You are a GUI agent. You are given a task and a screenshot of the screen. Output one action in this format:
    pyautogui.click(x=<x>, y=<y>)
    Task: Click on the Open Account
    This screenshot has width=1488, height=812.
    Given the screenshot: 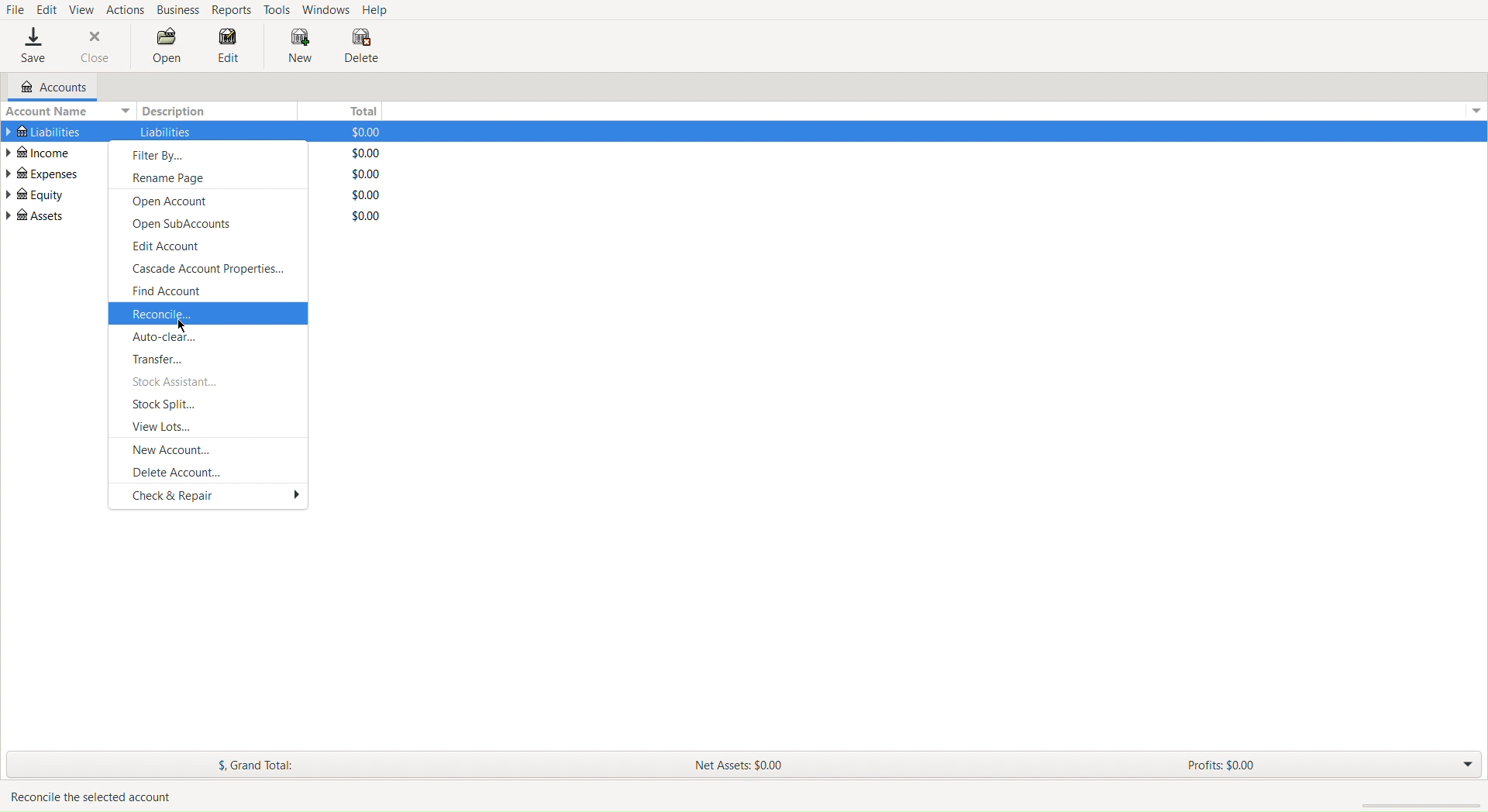 What is the action you would take?
    pyautogui.click(x=207, y=202)
    